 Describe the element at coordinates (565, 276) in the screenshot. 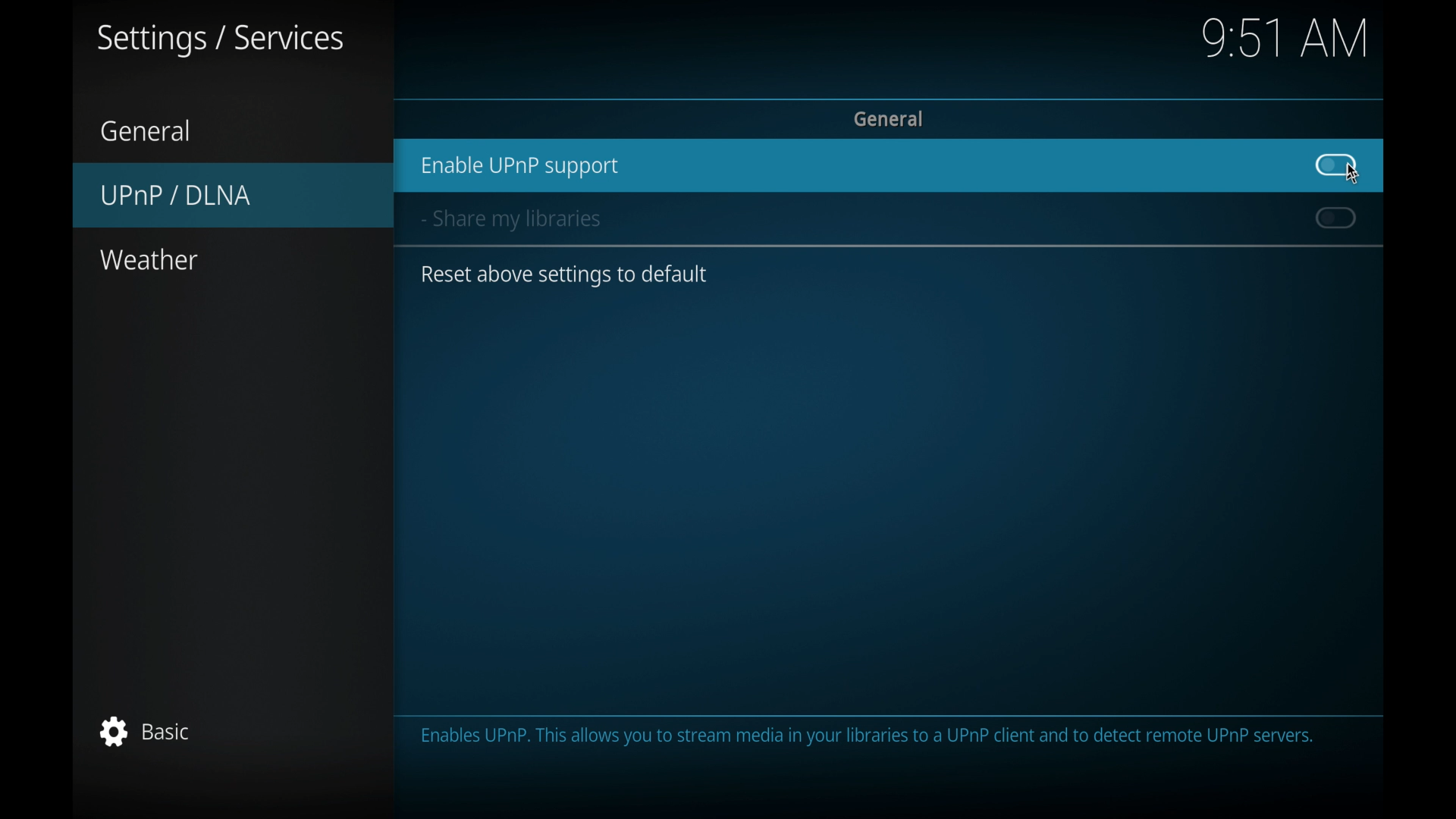

I see `reset above settings to default` at that location.